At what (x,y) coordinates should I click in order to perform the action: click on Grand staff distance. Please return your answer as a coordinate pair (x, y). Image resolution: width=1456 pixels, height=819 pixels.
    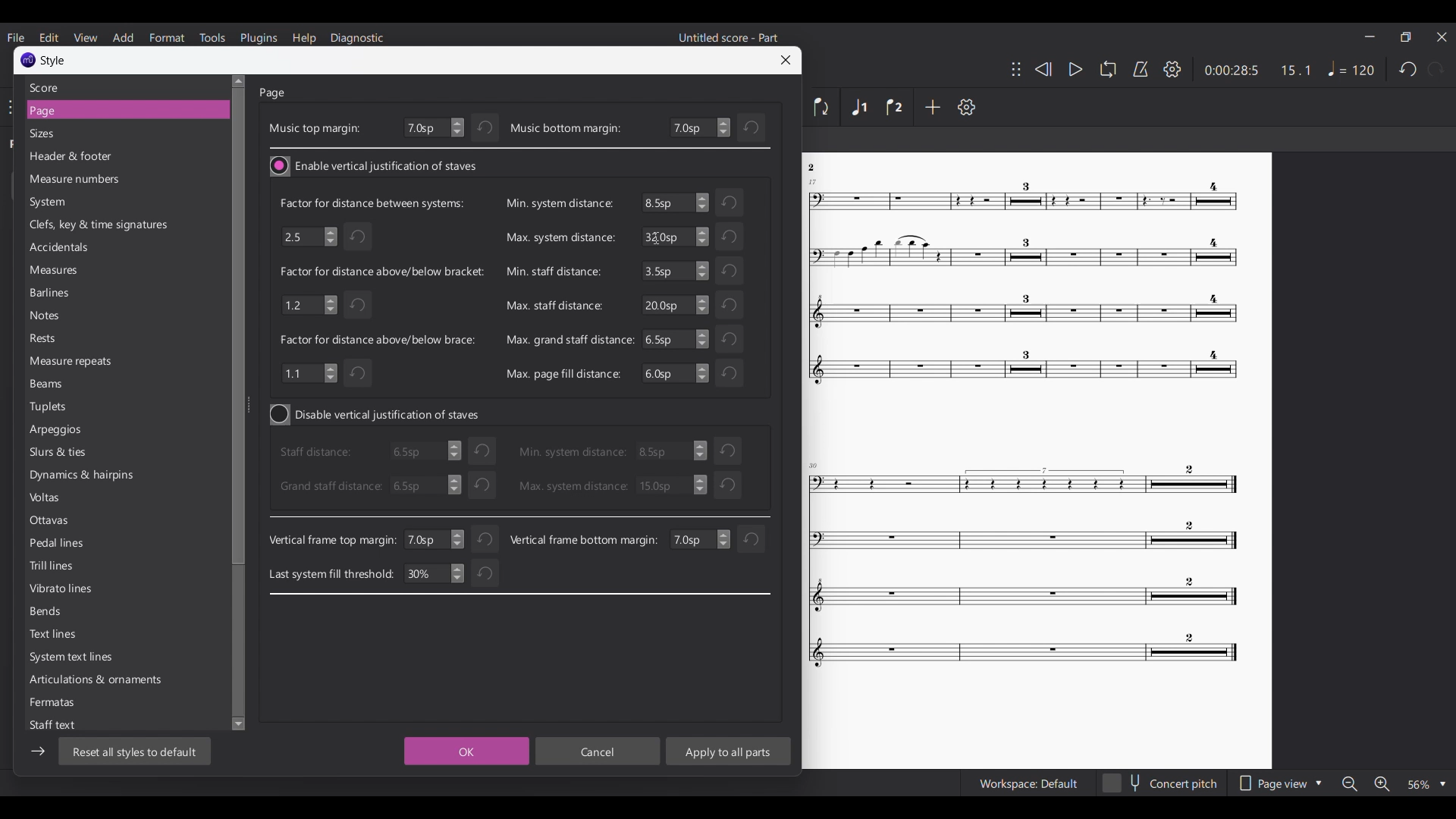
    Looking at the image, I should click on (329, 486).